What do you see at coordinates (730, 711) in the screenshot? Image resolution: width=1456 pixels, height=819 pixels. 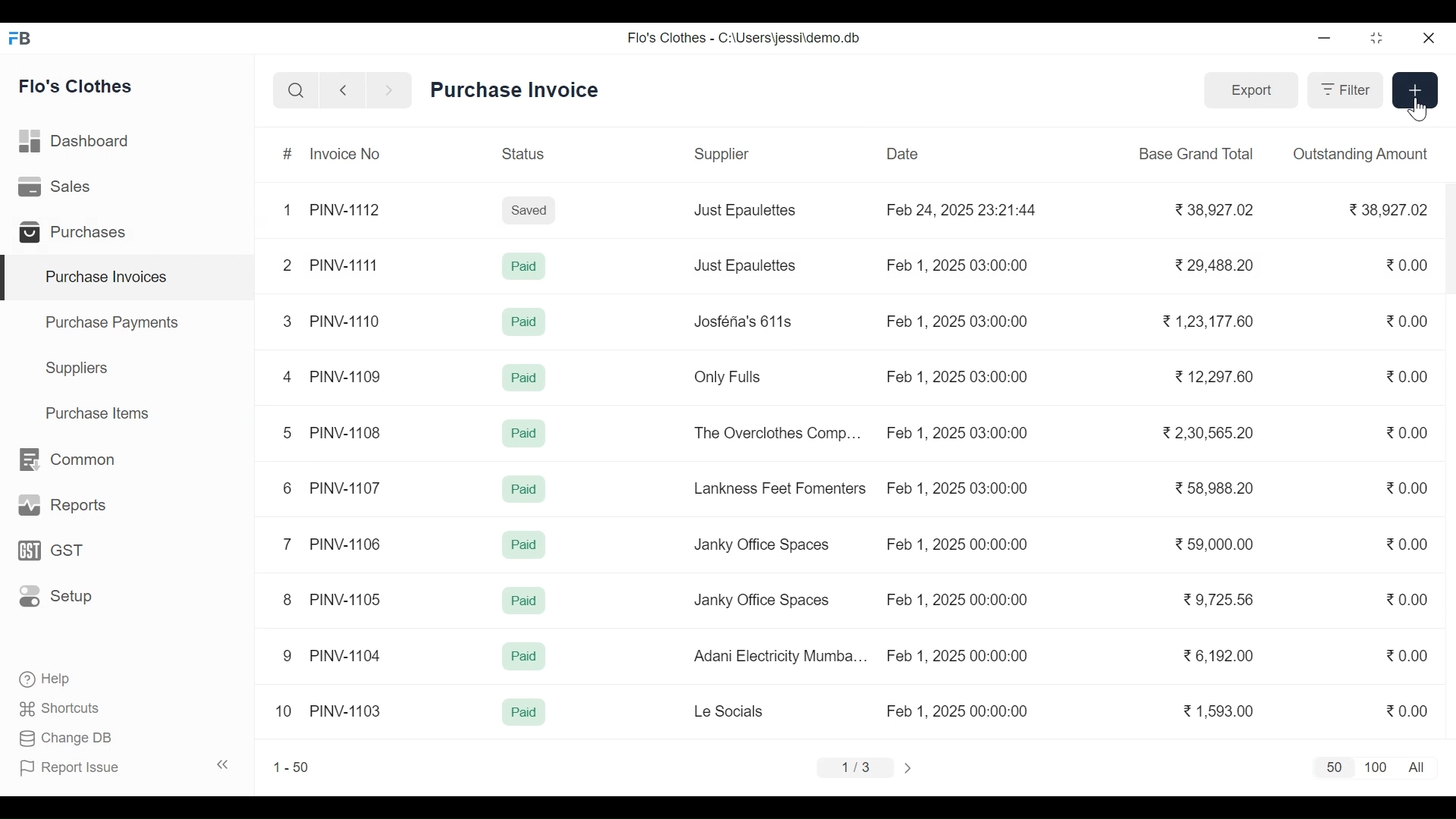 I see `Le Socials` at bounding box center [730, 711].